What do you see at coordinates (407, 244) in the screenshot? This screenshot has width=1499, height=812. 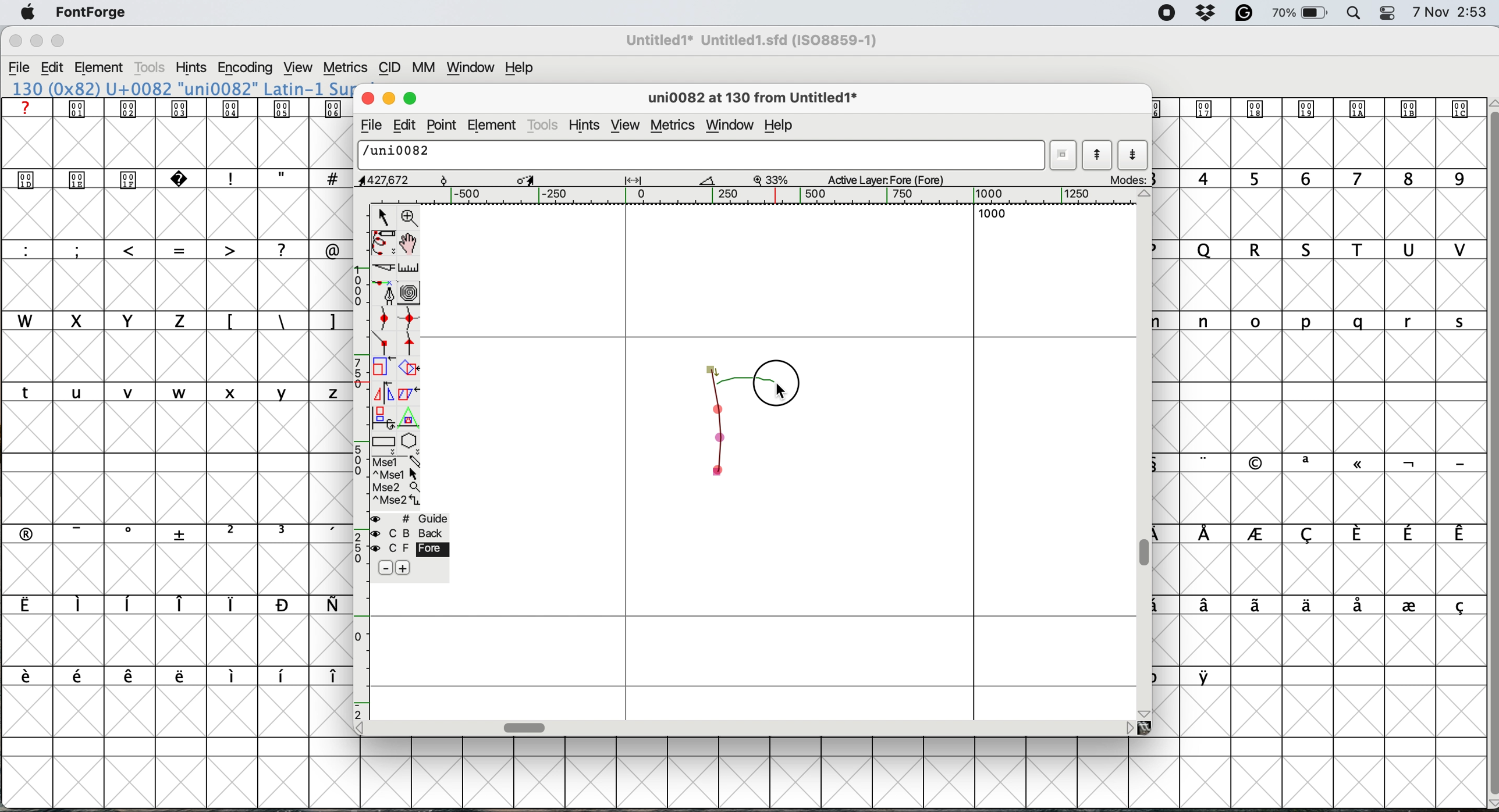 I see `scroll by hand` at bounding box center [407, 244].